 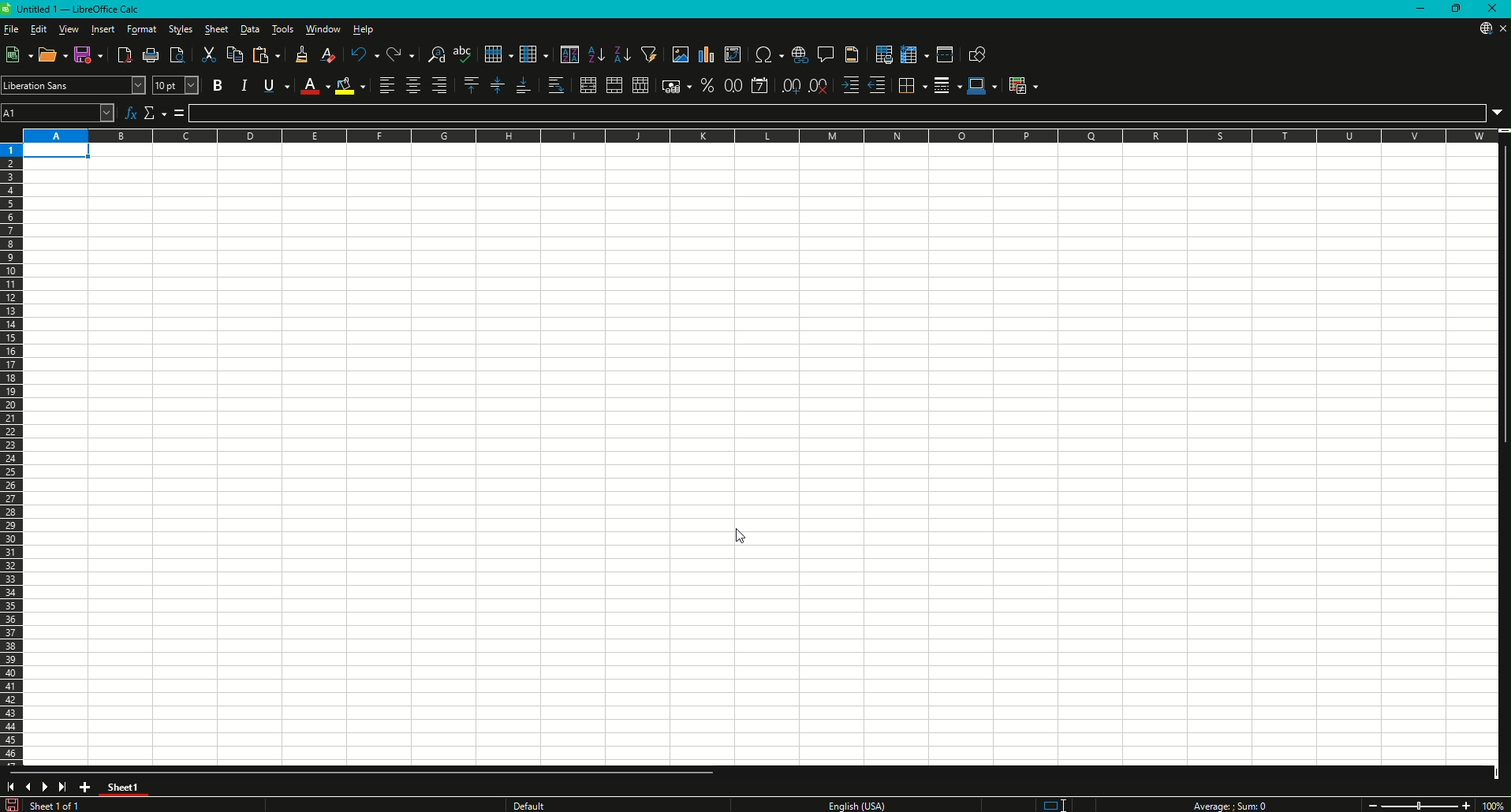 I want to click on Border Style, so click(x=947, y=86).